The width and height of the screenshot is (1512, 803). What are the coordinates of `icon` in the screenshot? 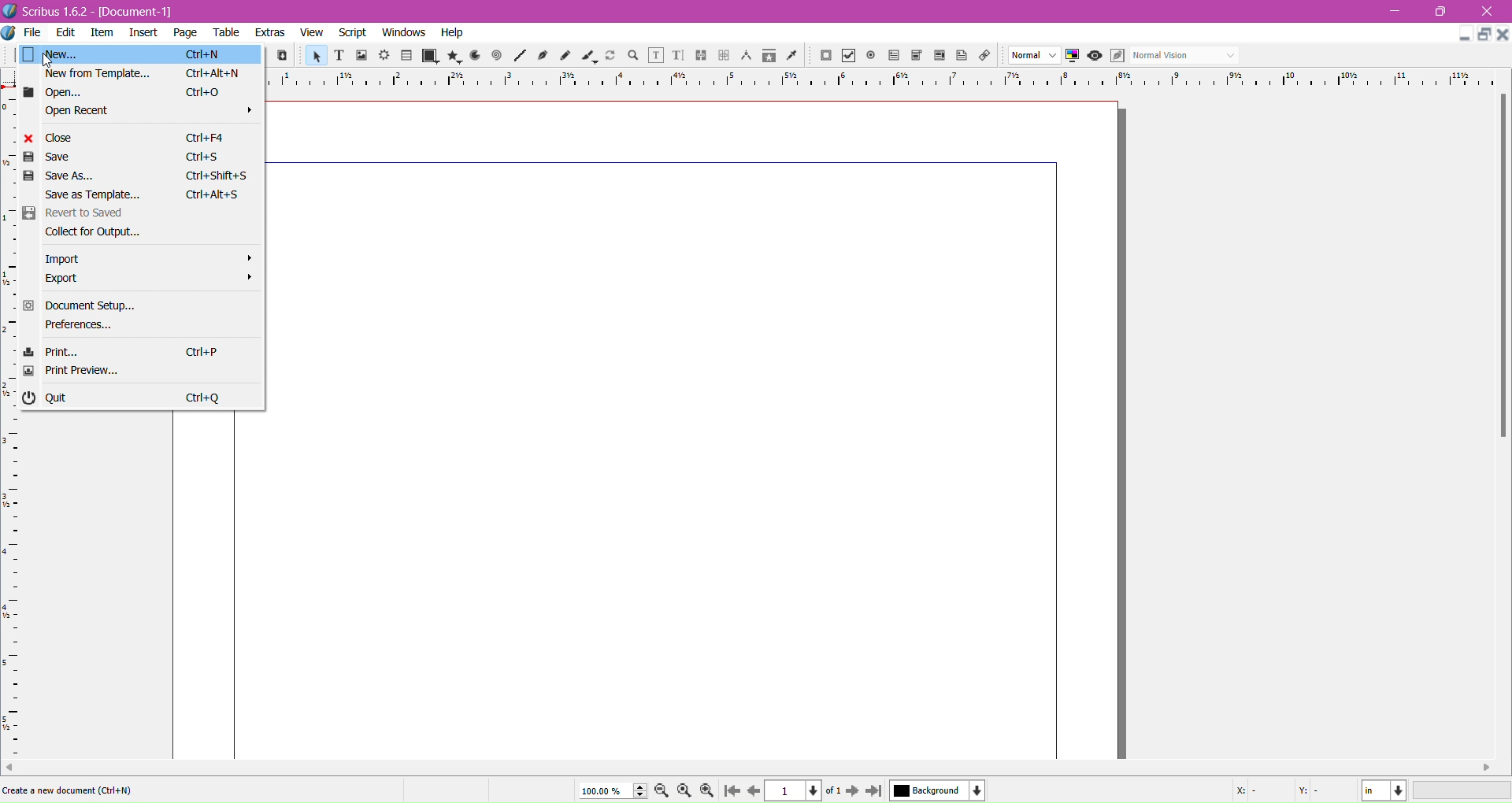 It's located at (847, 56).